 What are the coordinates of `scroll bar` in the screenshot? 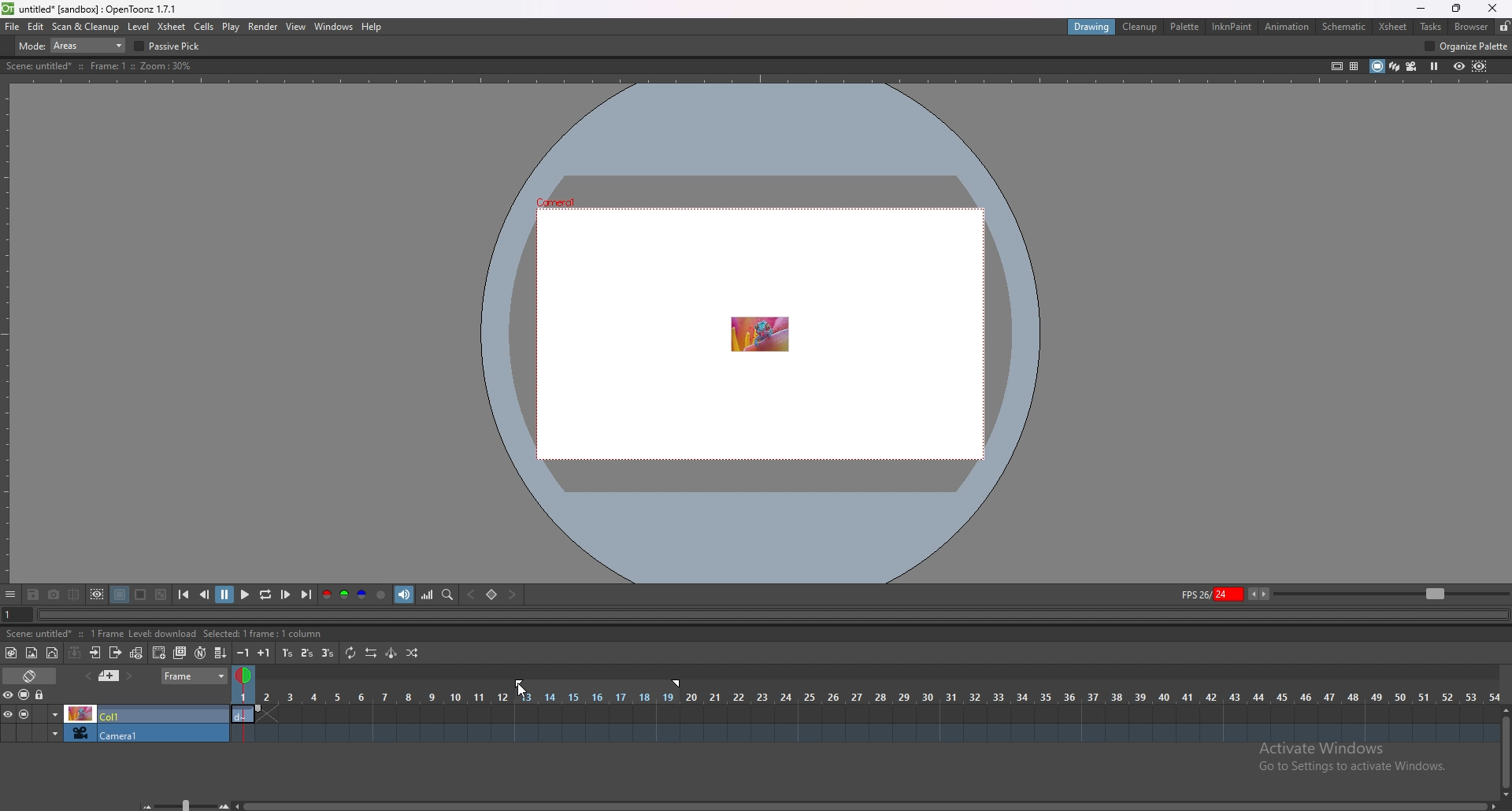 It's located at (1504, 751).